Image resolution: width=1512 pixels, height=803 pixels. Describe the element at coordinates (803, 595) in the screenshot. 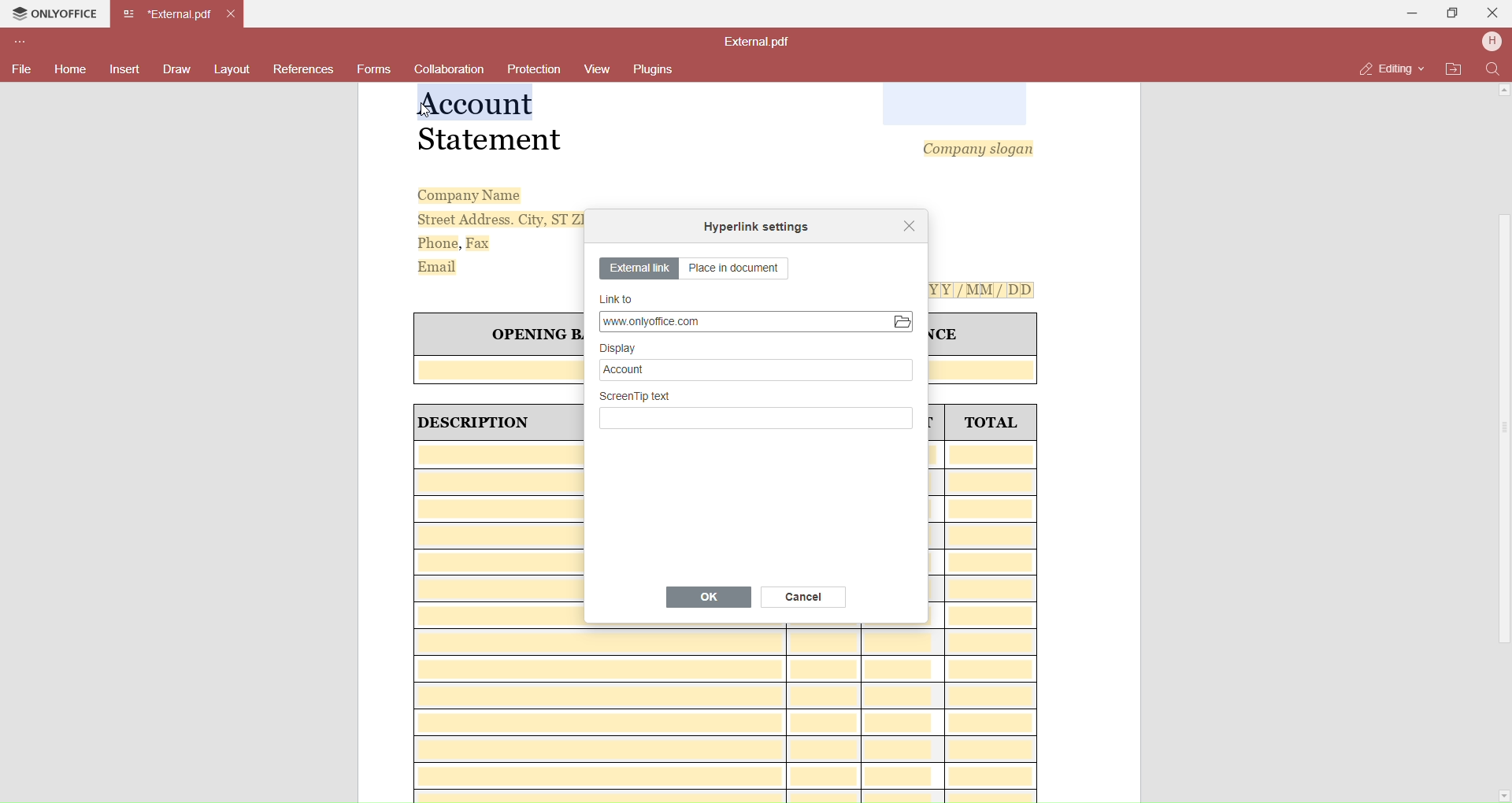

I see `Cancel` at that location.